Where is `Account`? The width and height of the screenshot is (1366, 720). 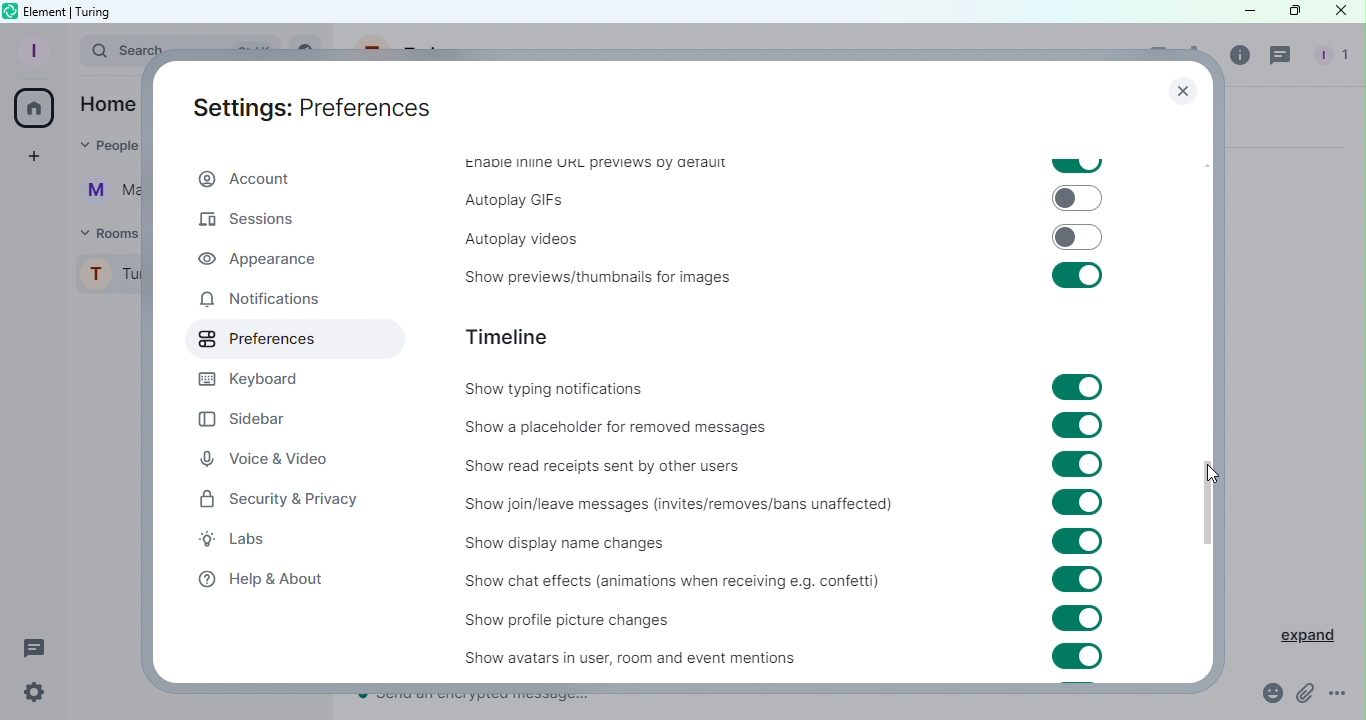
Account is located at coordinates (251, 178).